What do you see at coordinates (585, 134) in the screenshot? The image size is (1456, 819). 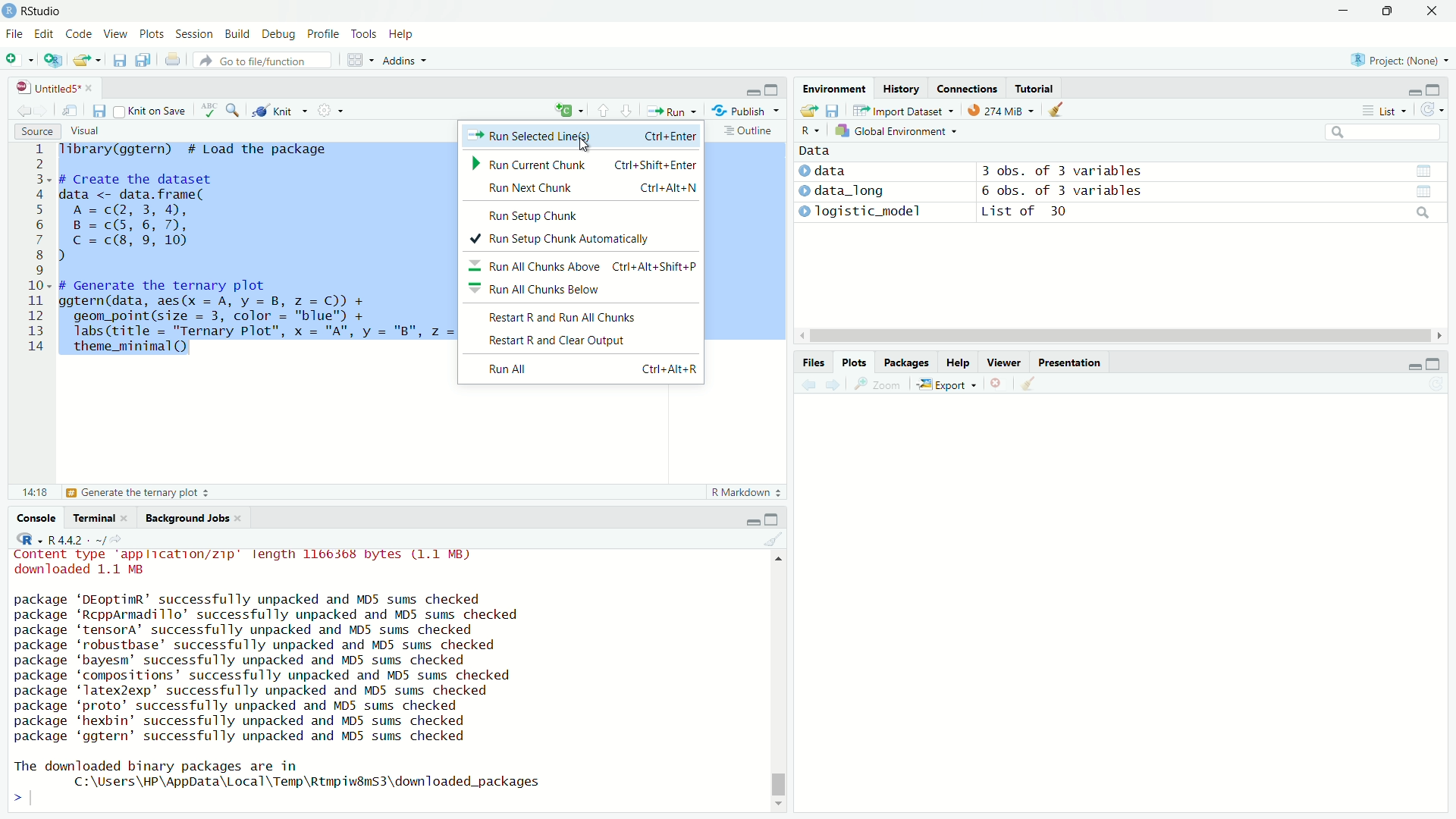 I see `+ Run Selected Line(s) Ctri+Enter` at bounding box center [585, 134].